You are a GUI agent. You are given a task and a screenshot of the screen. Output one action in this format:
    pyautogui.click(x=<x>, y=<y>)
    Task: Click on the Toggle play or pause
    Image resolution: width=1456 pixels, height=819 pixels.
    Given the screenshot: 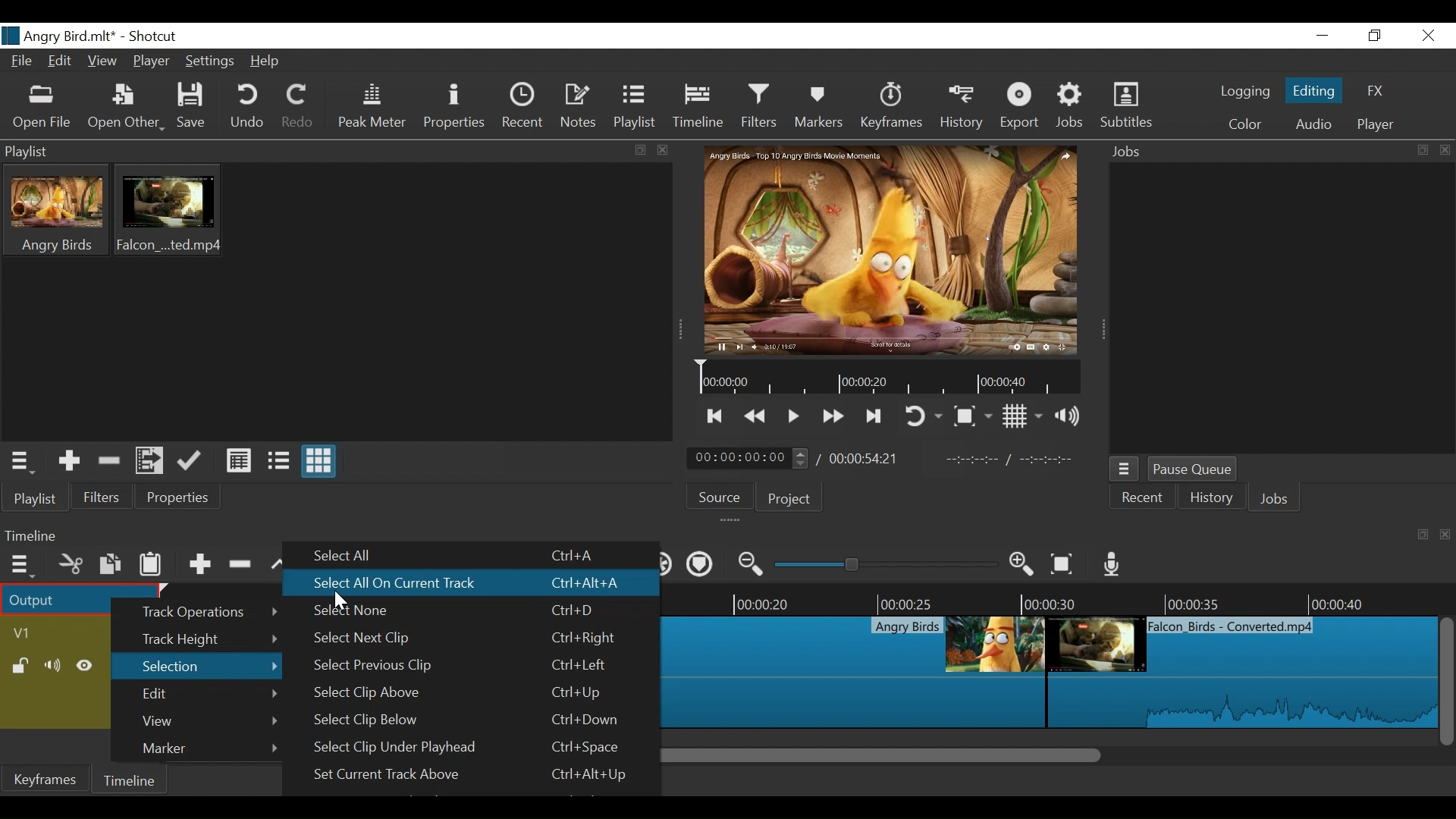 What is the action you would take?
    pyautogui.click(x=794, y=416)
    